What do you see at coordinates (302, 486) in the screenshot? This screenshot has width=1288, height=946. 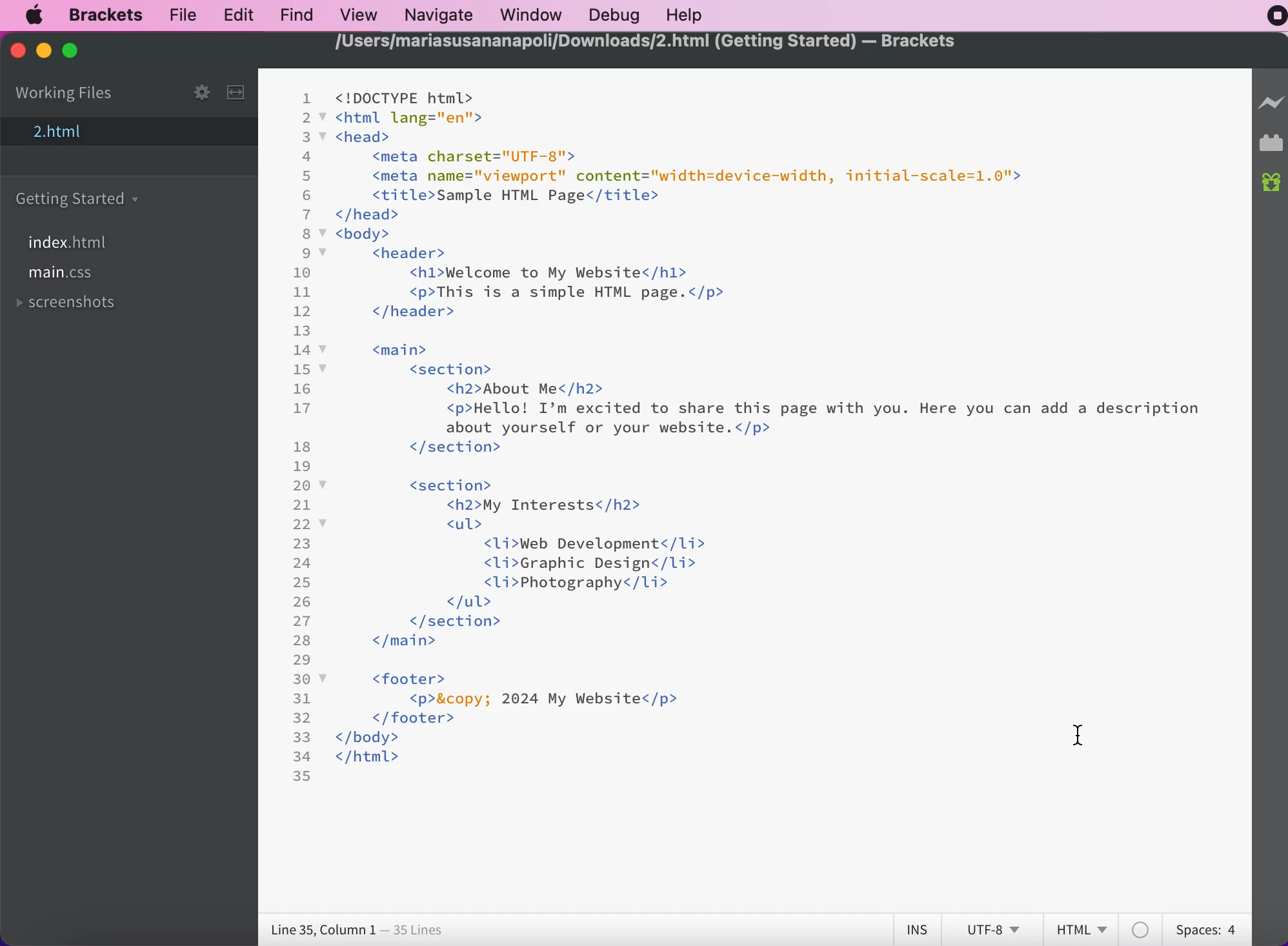 I see `20` at bounding box center [302, 486].